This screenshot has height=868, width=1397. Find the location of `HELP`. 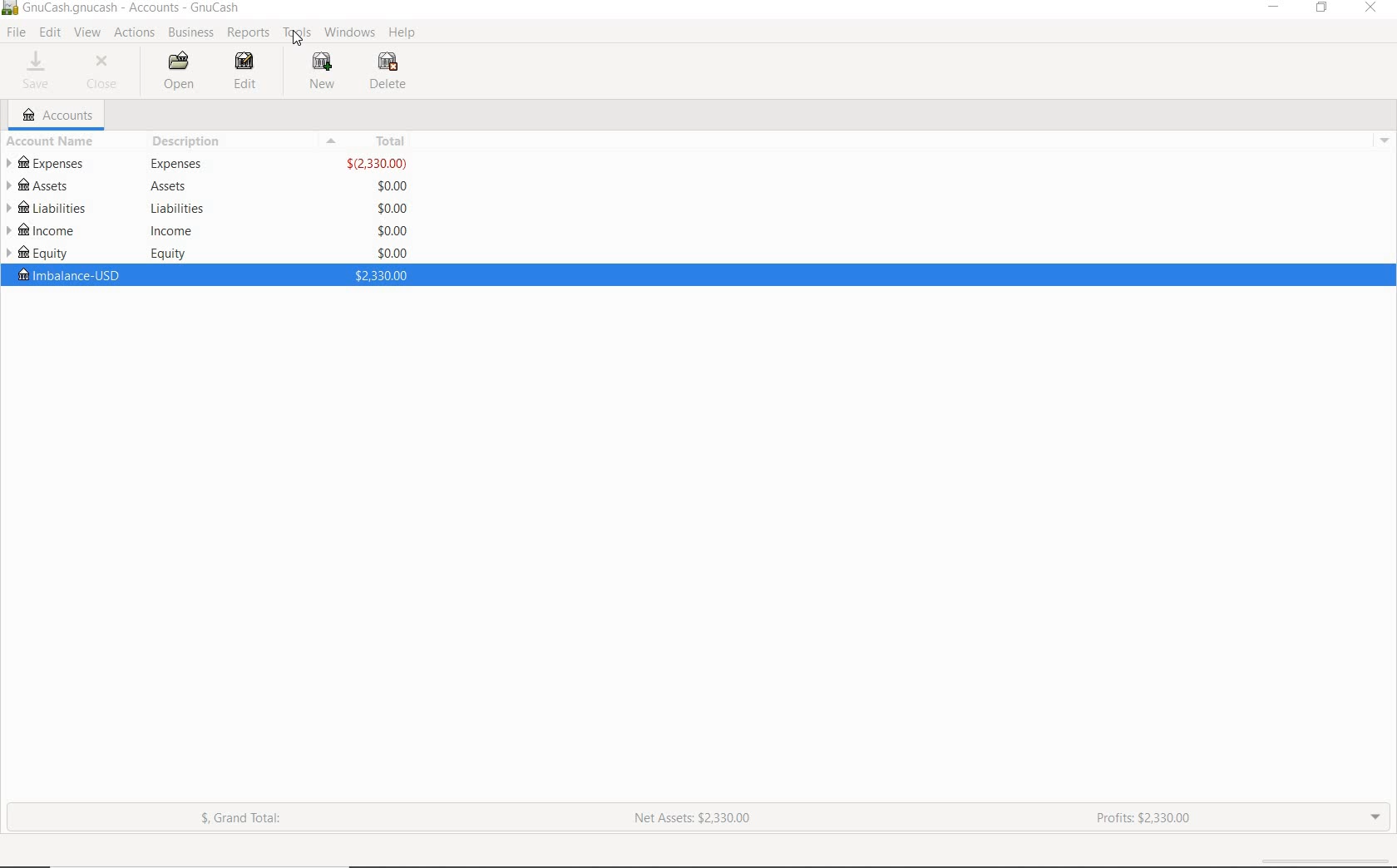

HELP is located at coordinates (405, 33).